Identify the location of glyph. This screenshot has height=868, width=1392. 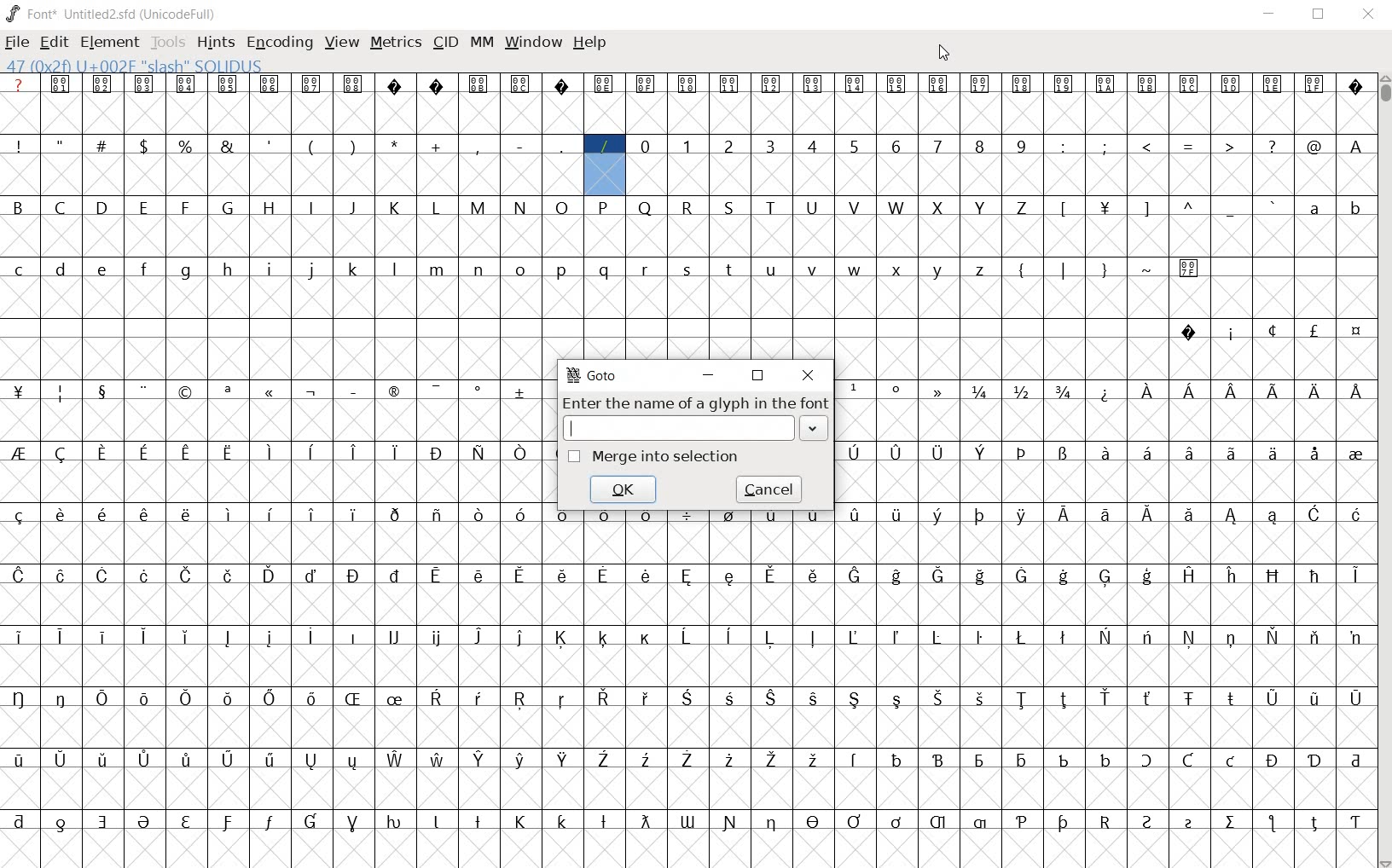
(1274, 205).